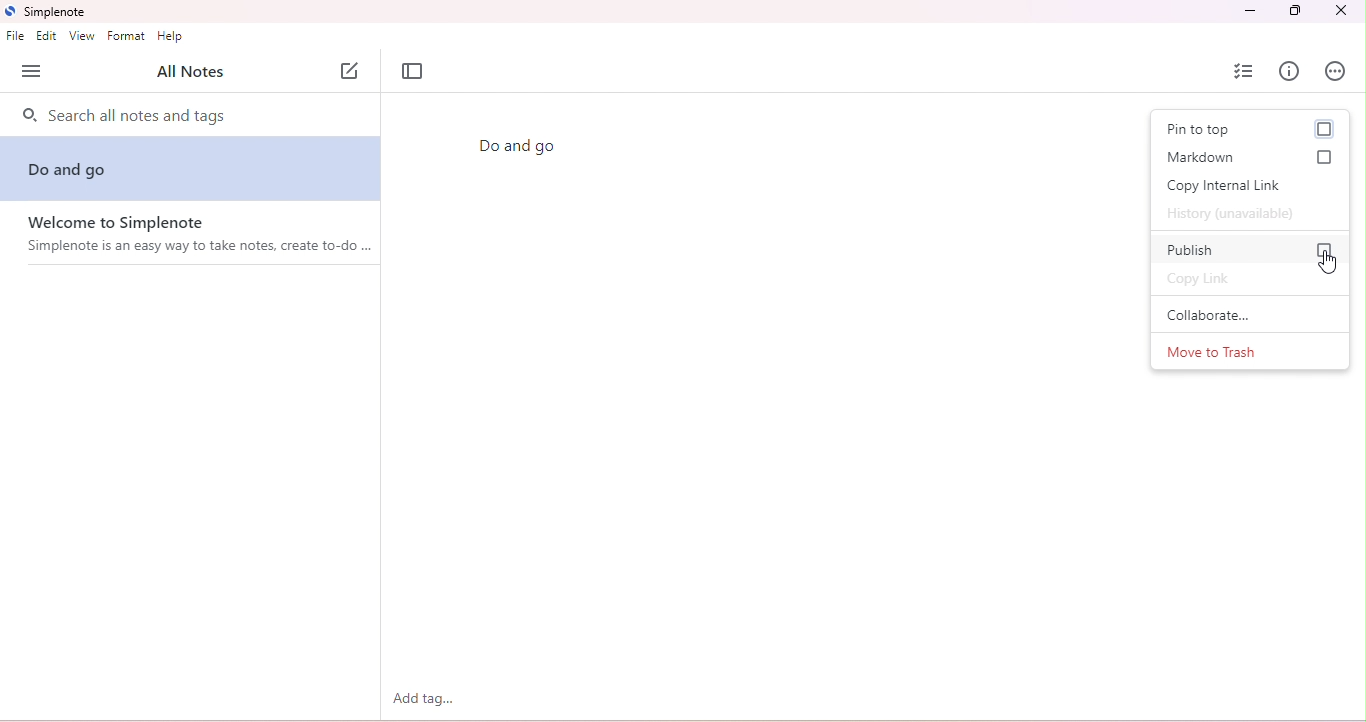 The width and height of the screenshot is (1366, 722). Describe the element at coordinates (1197, 156) in the screenshot. I see `markdown` at that location.